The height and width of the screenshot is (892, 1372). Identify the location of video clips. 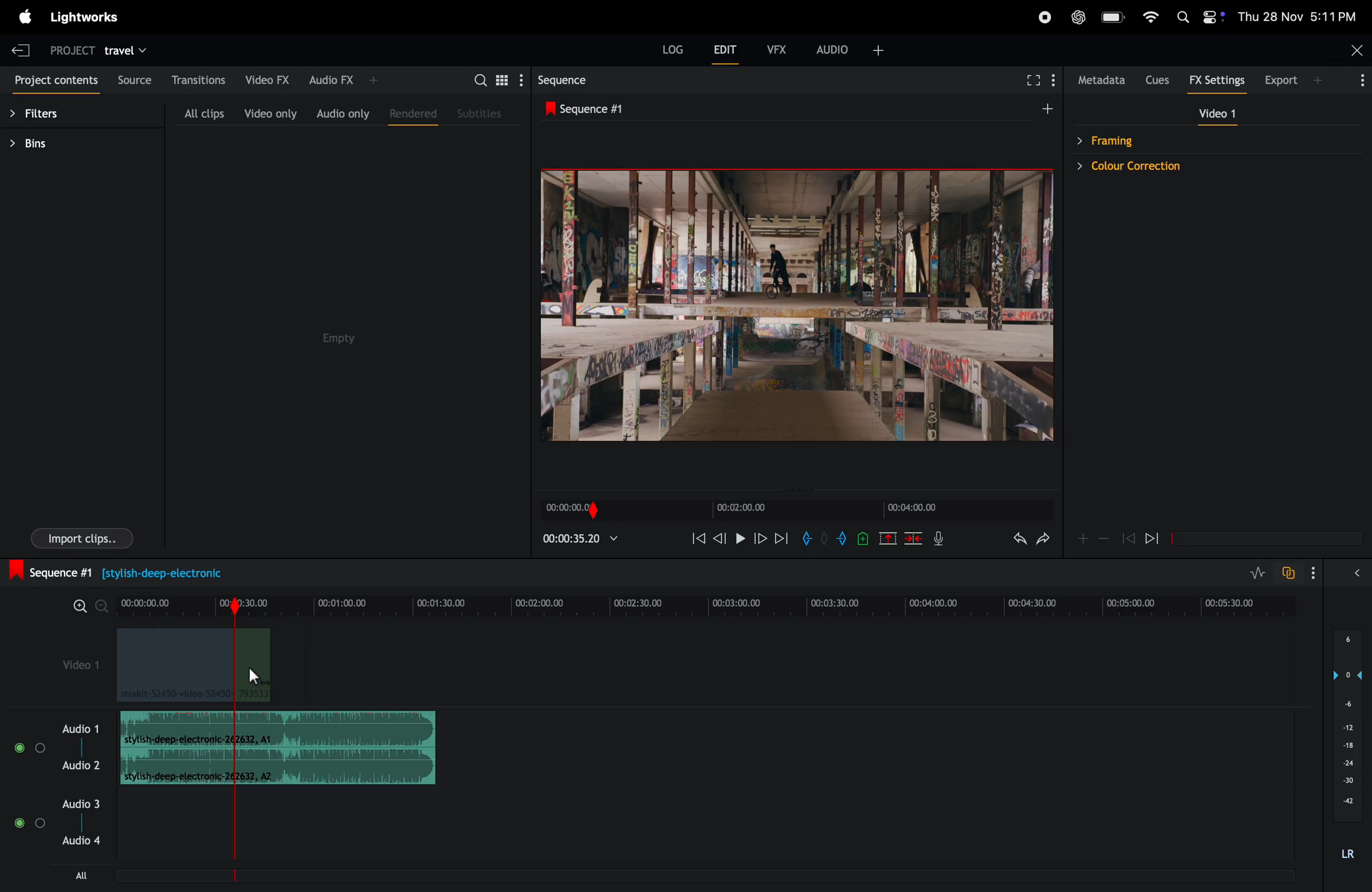
(191, 666).